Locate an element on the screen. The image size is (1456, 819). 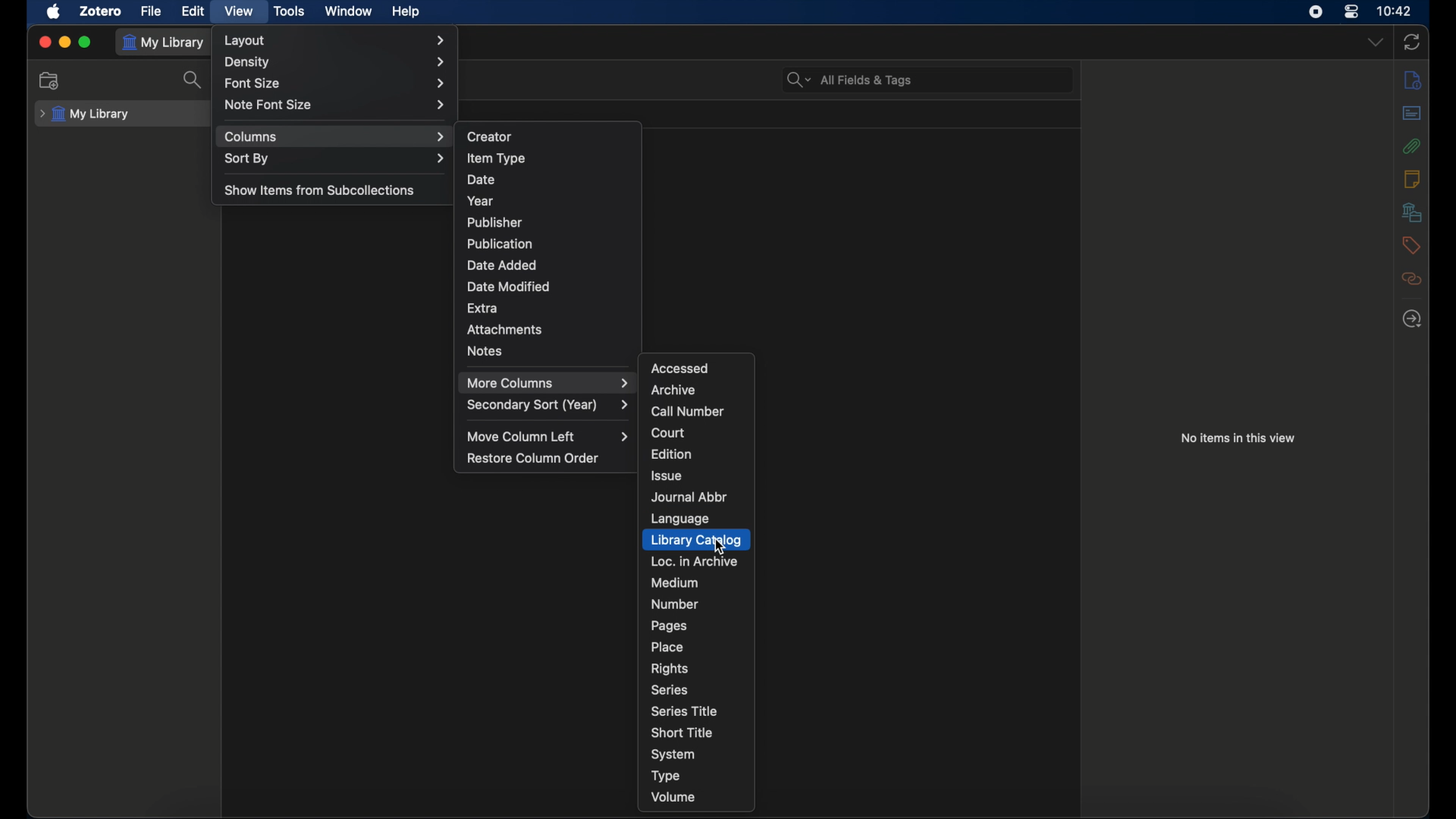
call number is located at coordinates (689, 412).